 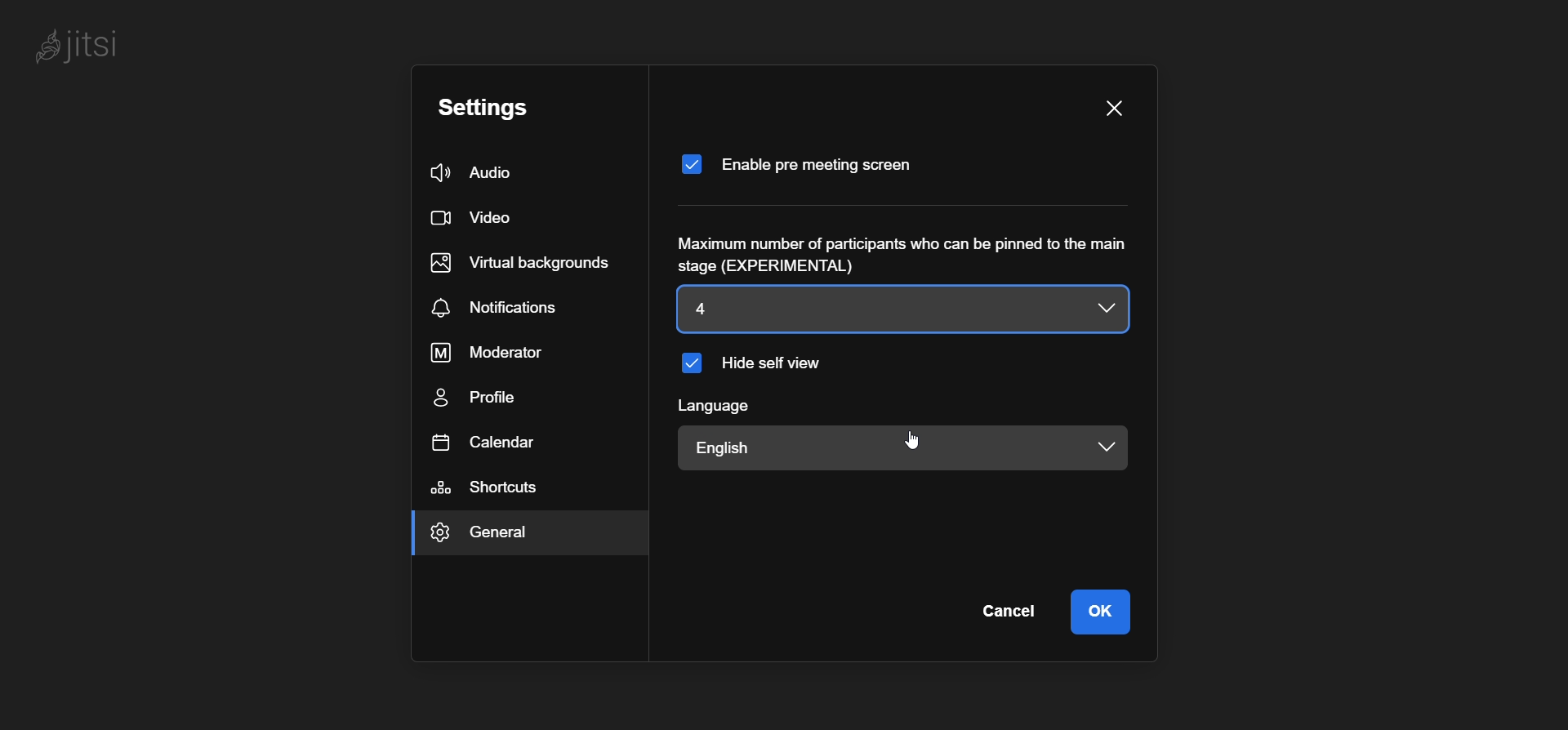 What do you see at coordinates (779, 448) in the screenshot?
I see `english` at bounding box center [779, 448].